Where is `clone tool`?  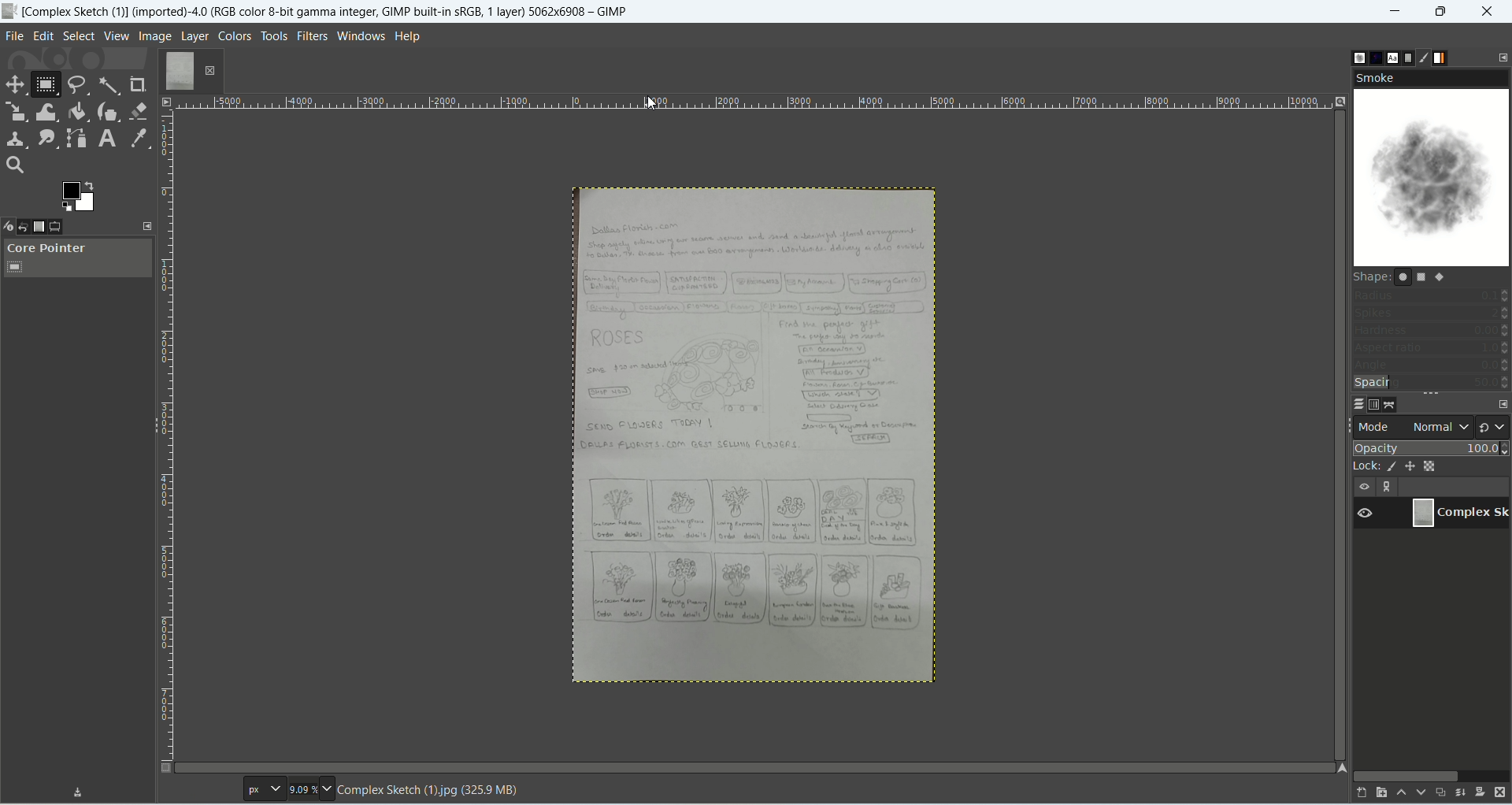
clone tool is located at coordinates (15, 140).